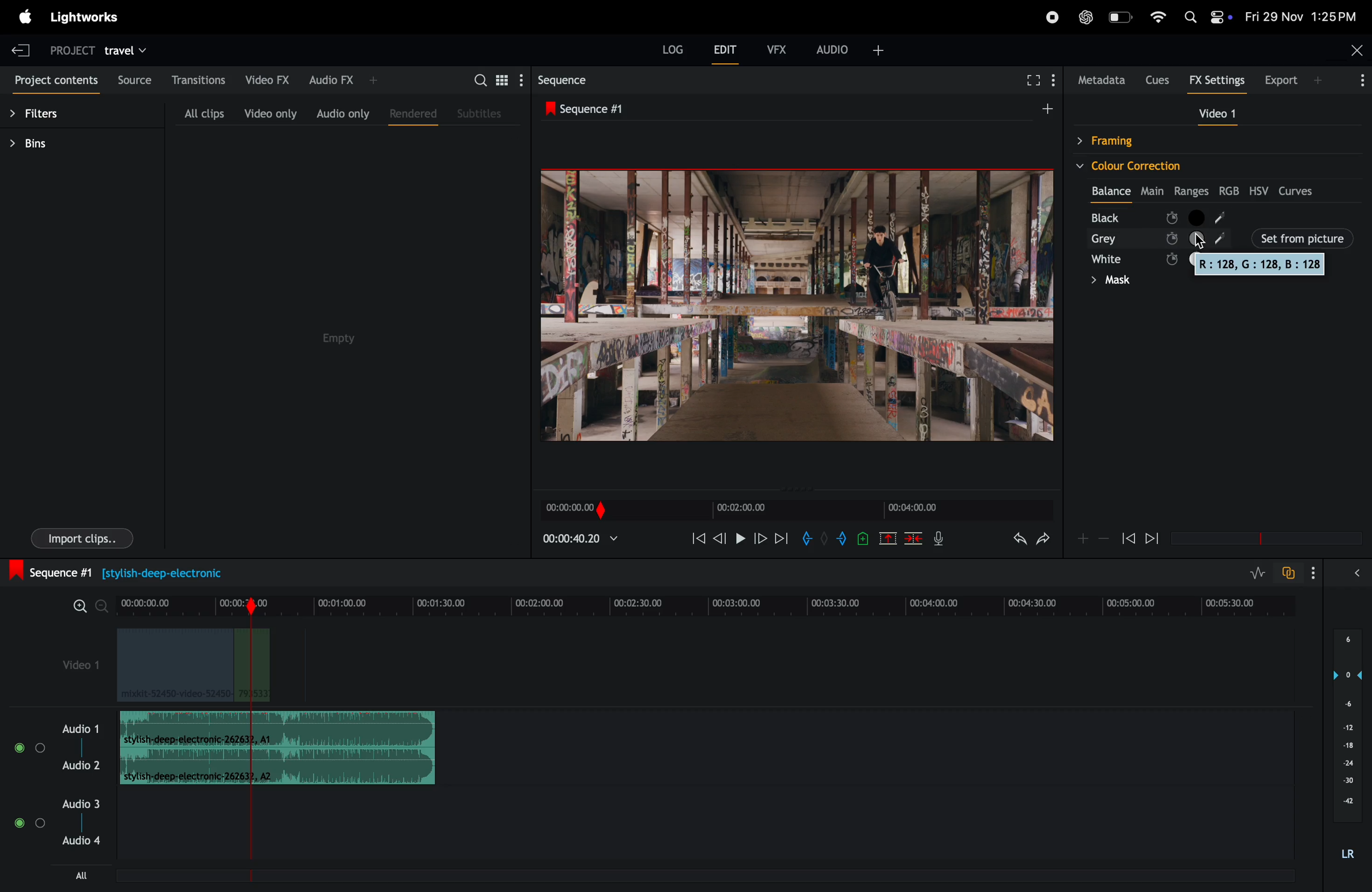  Describe the element at coordinates (711, 600) in the screenshot. I see `time frame` at that location.